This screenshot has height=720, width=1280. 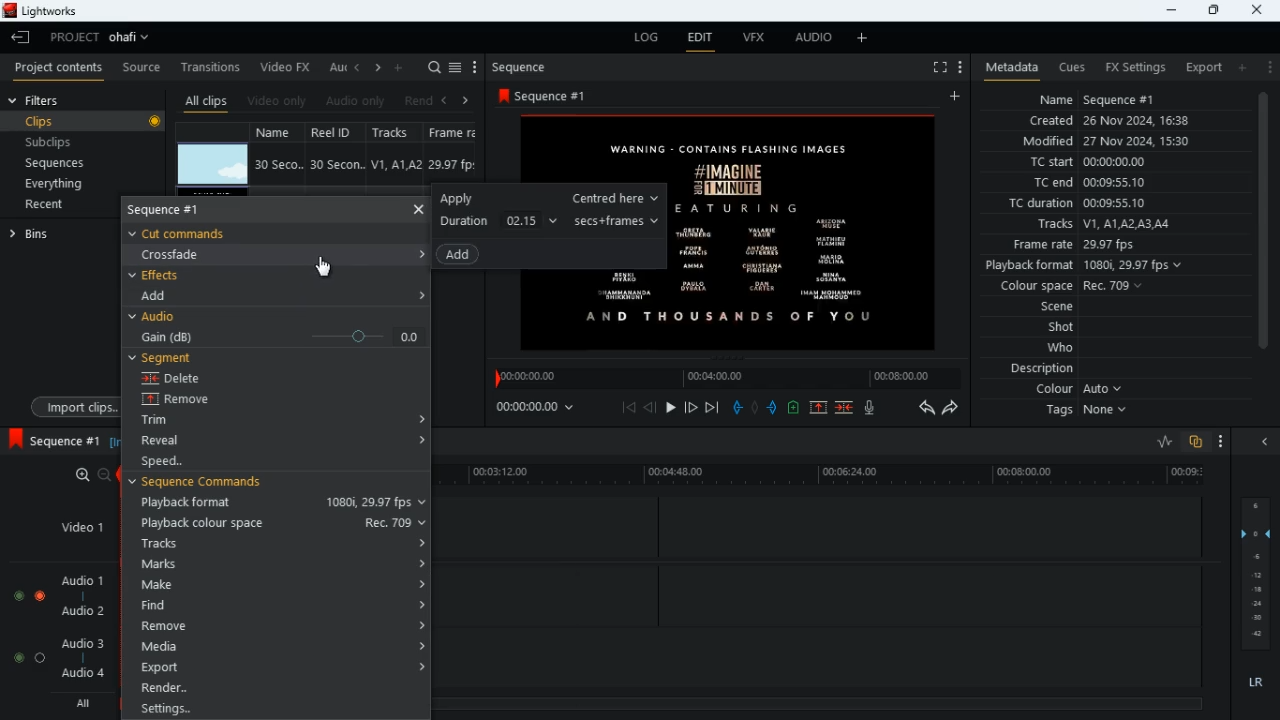 What do you see at coordinates (1043, 369) in the screenshot?
I see `description` at bounding box center [1043, 369].